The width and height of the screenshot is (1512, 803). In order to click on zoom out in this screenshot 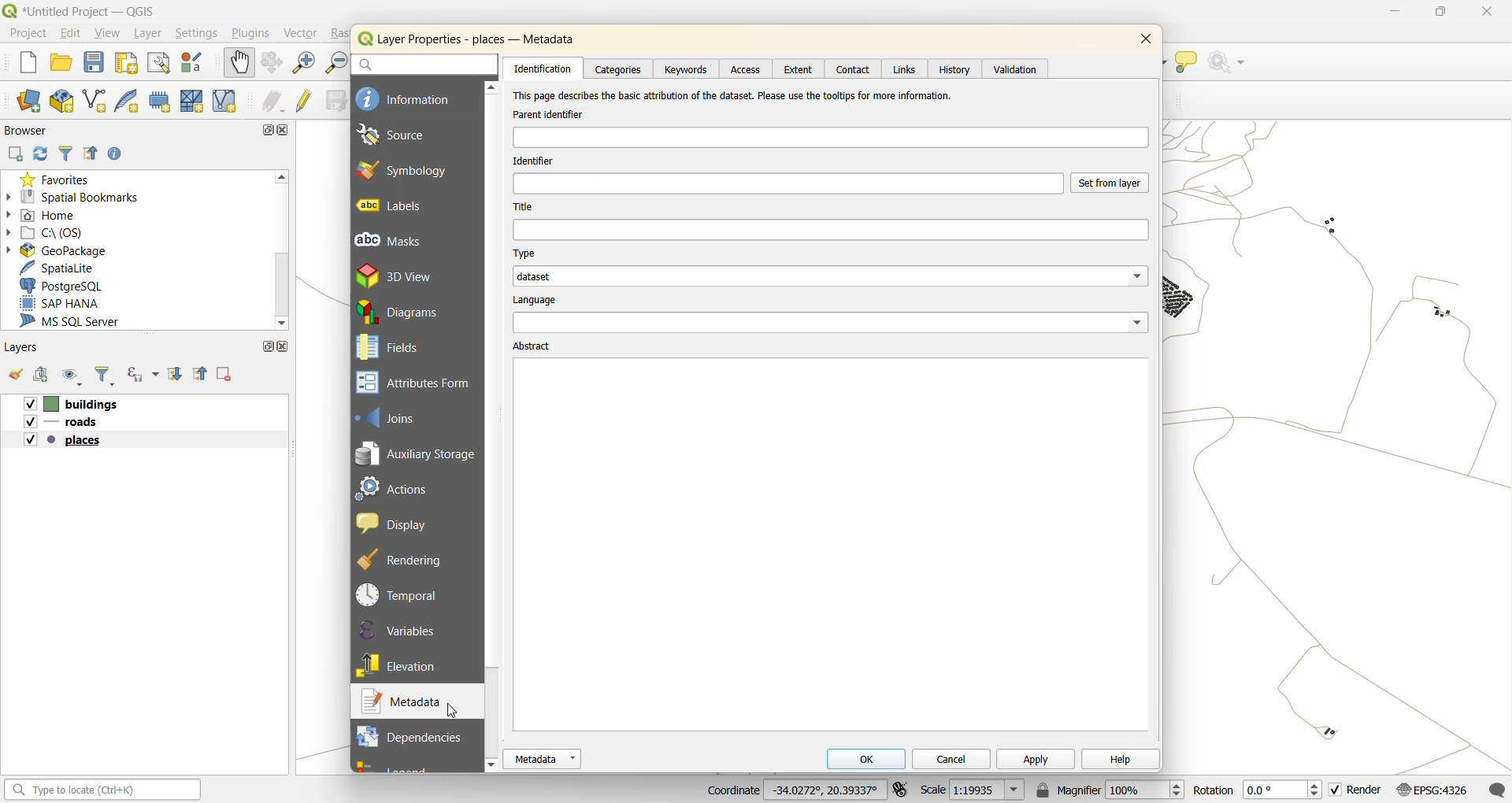, I will do `click(335, 61)`.